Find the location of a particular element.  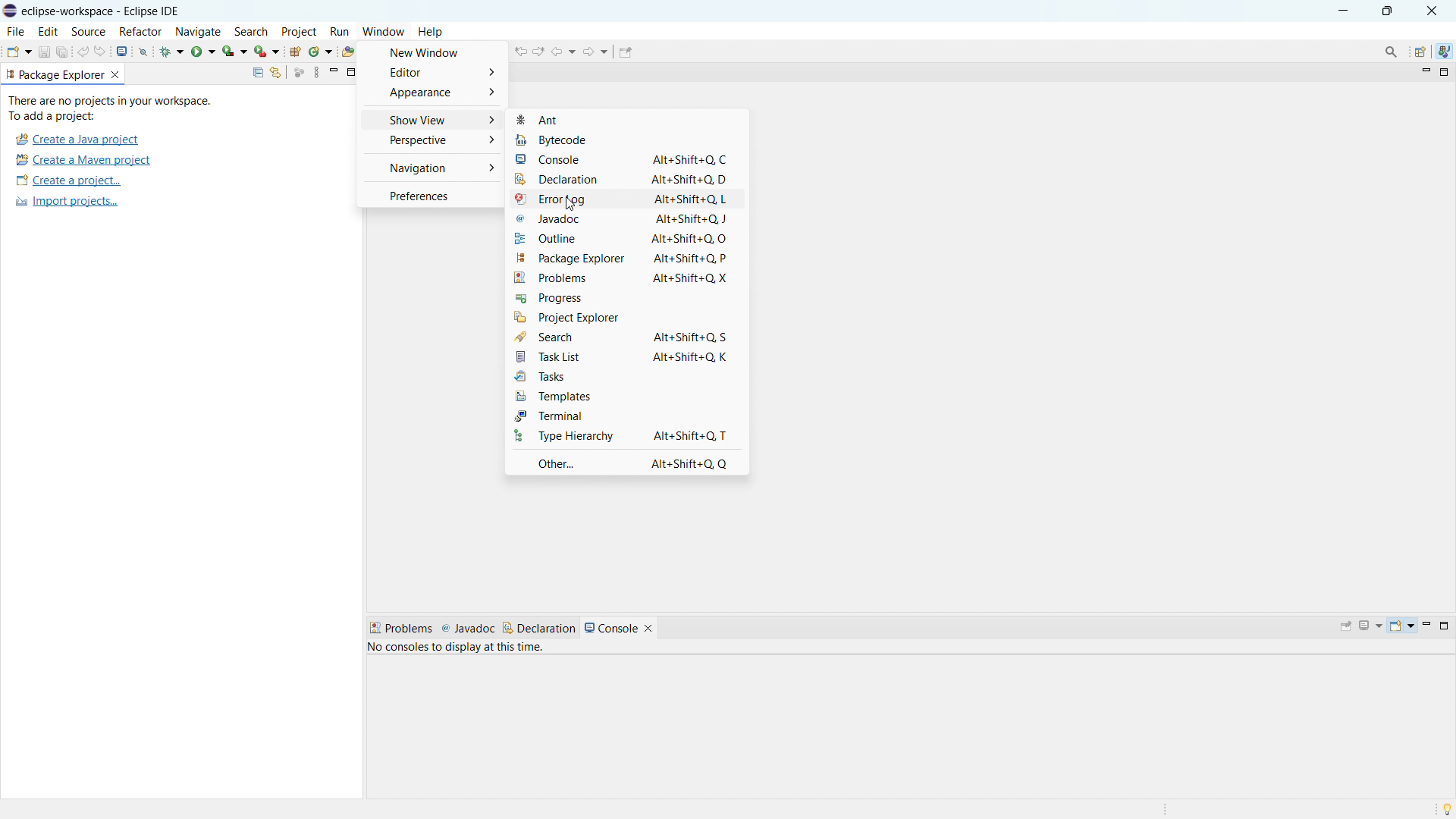

save is located at coordinates (44, 51).